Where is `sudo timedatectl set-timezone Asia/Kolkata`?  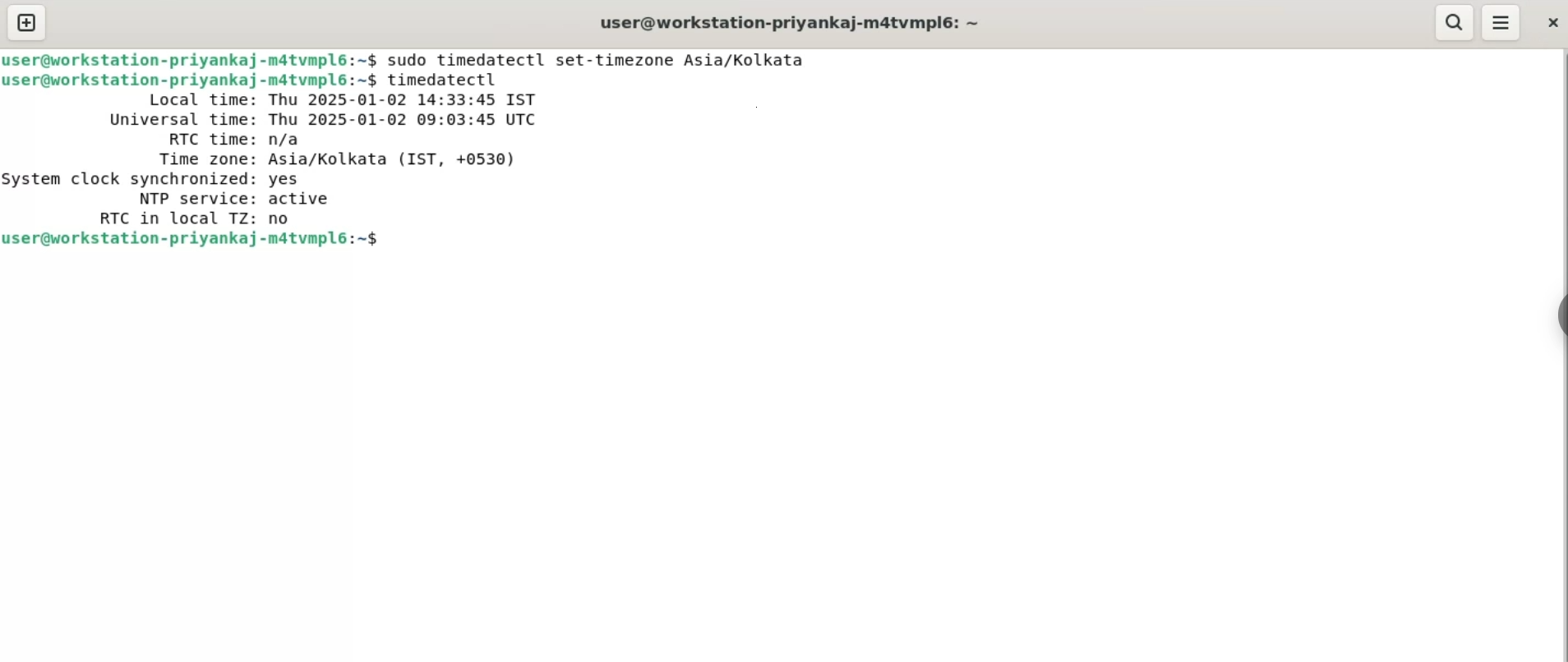
sudo timedatectl set-timezone Asia/Kolkata is located at coordinates (598, 60).